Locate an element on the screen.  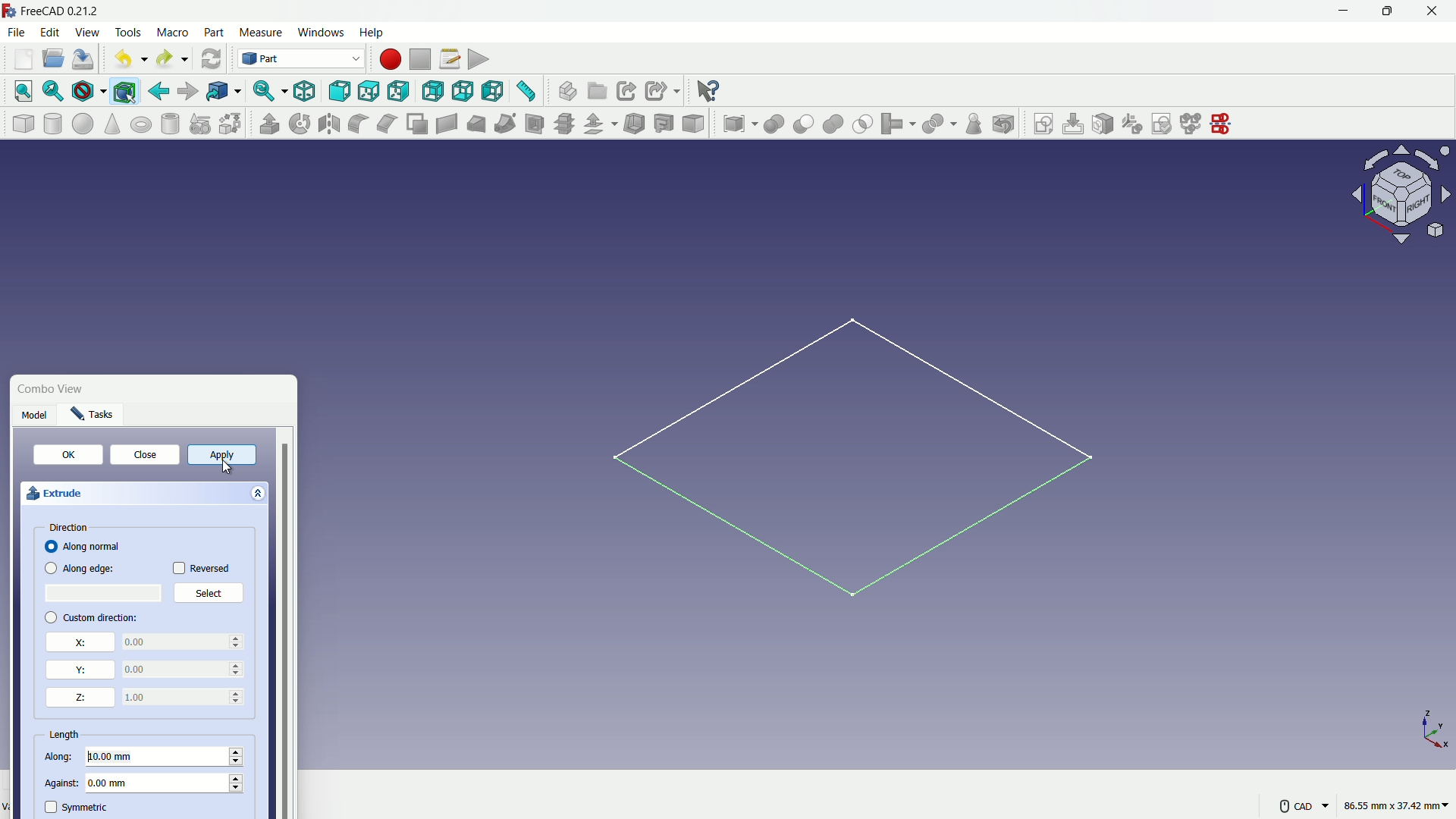
z direction is located at coordinates (78, 699).